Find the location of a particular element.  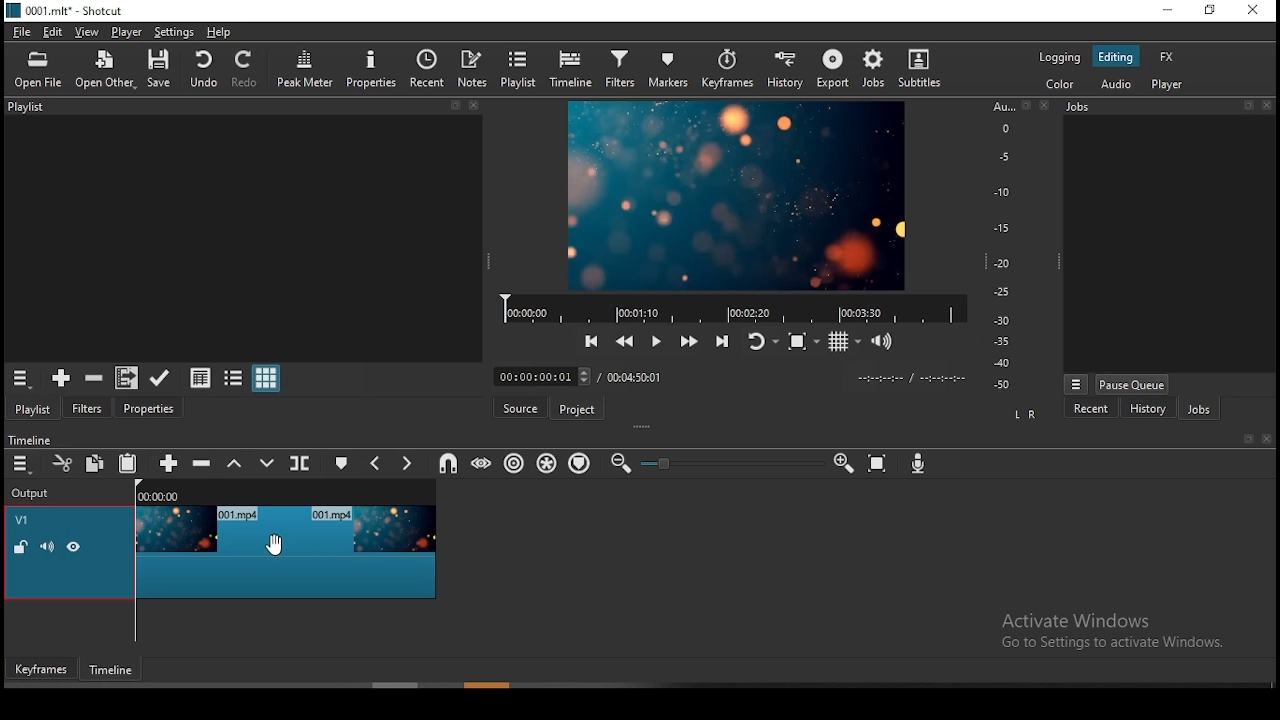

video progress bar is located at coordinates (728, 305).